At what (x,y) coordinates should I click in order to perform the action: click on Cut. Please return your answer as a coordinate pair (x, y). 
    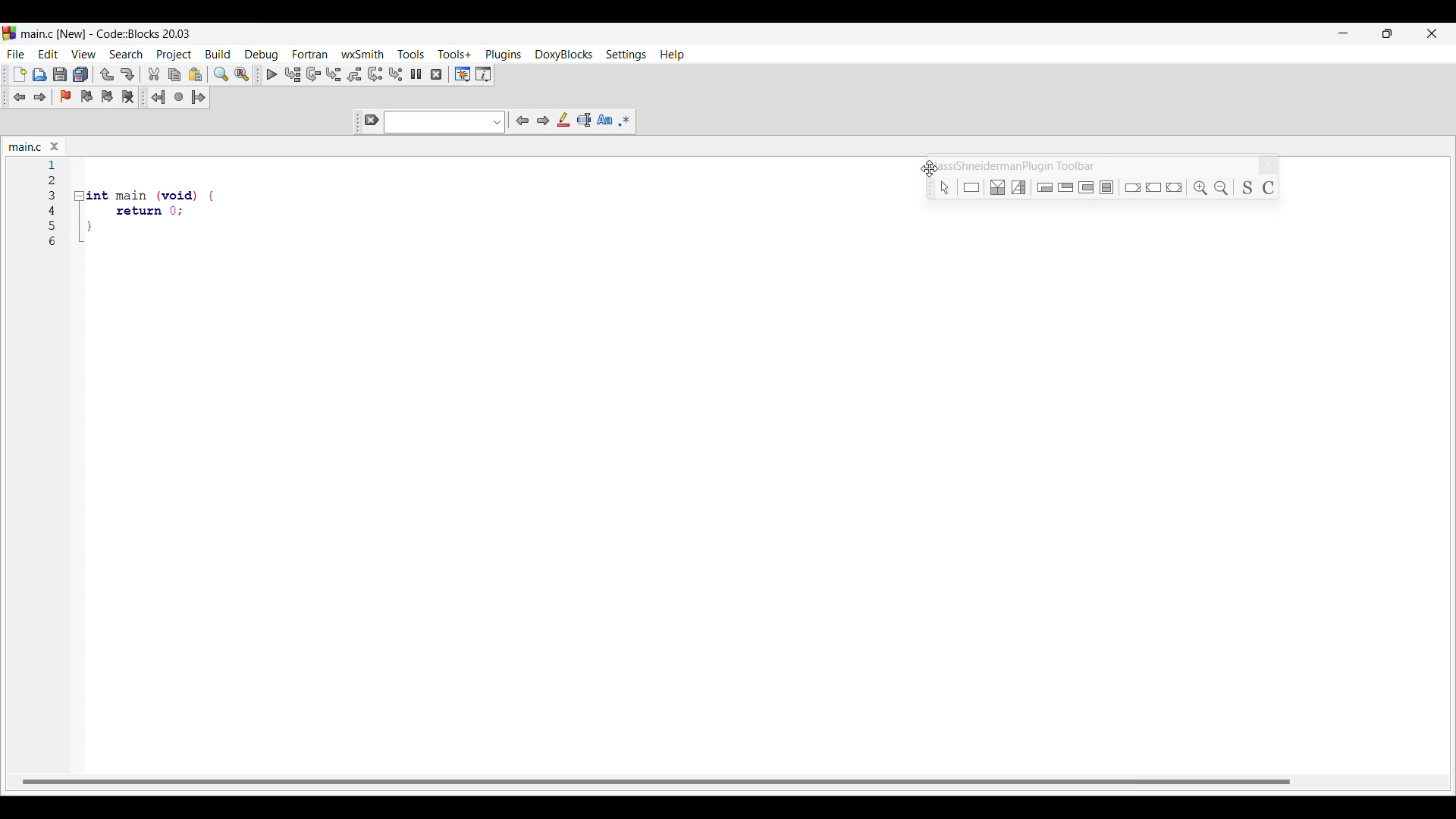
    Looking at the image, I should click on (154, 74).